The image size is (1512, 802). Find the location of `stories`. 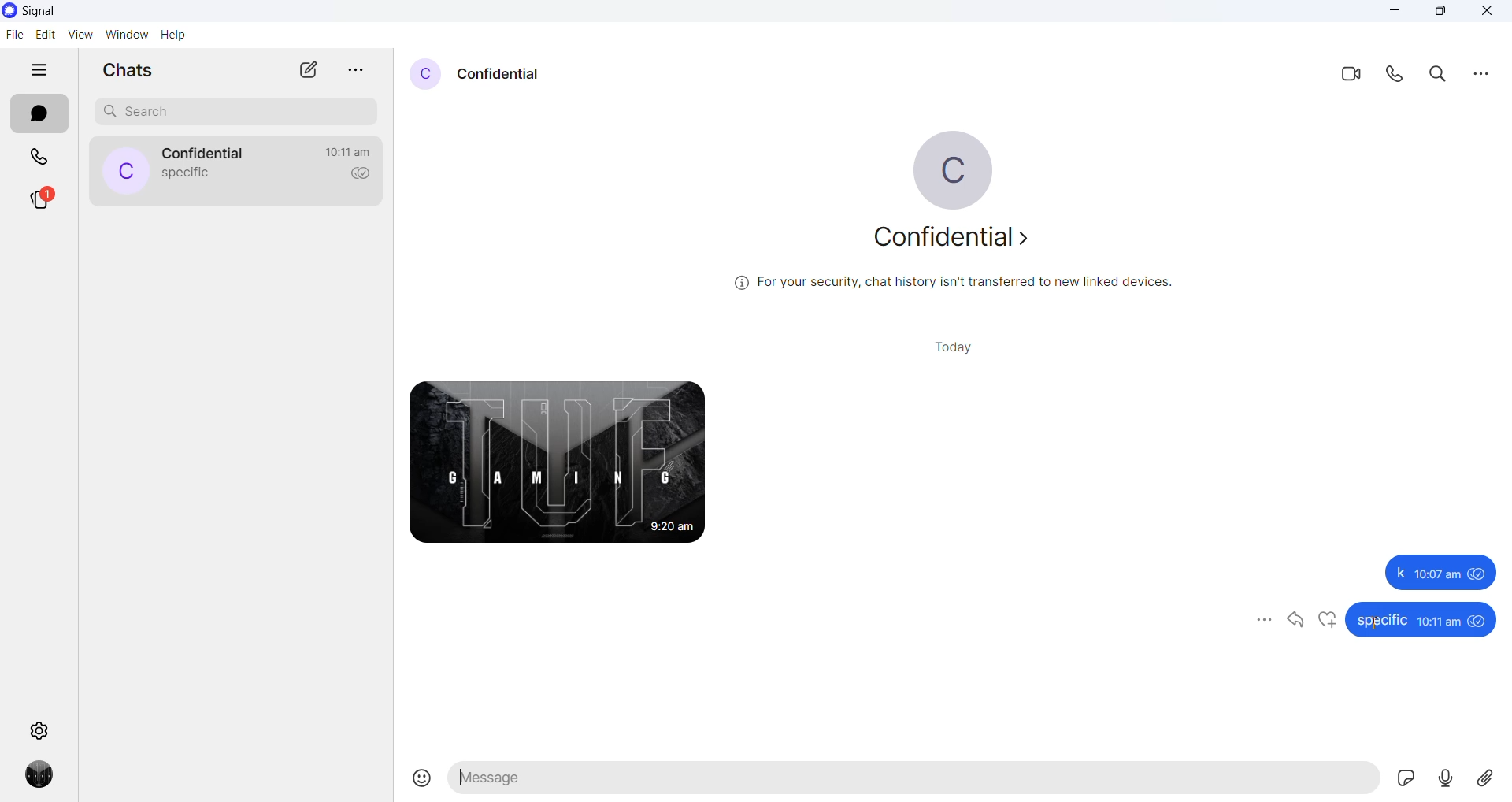

stories is located at coordinates (43, 202).